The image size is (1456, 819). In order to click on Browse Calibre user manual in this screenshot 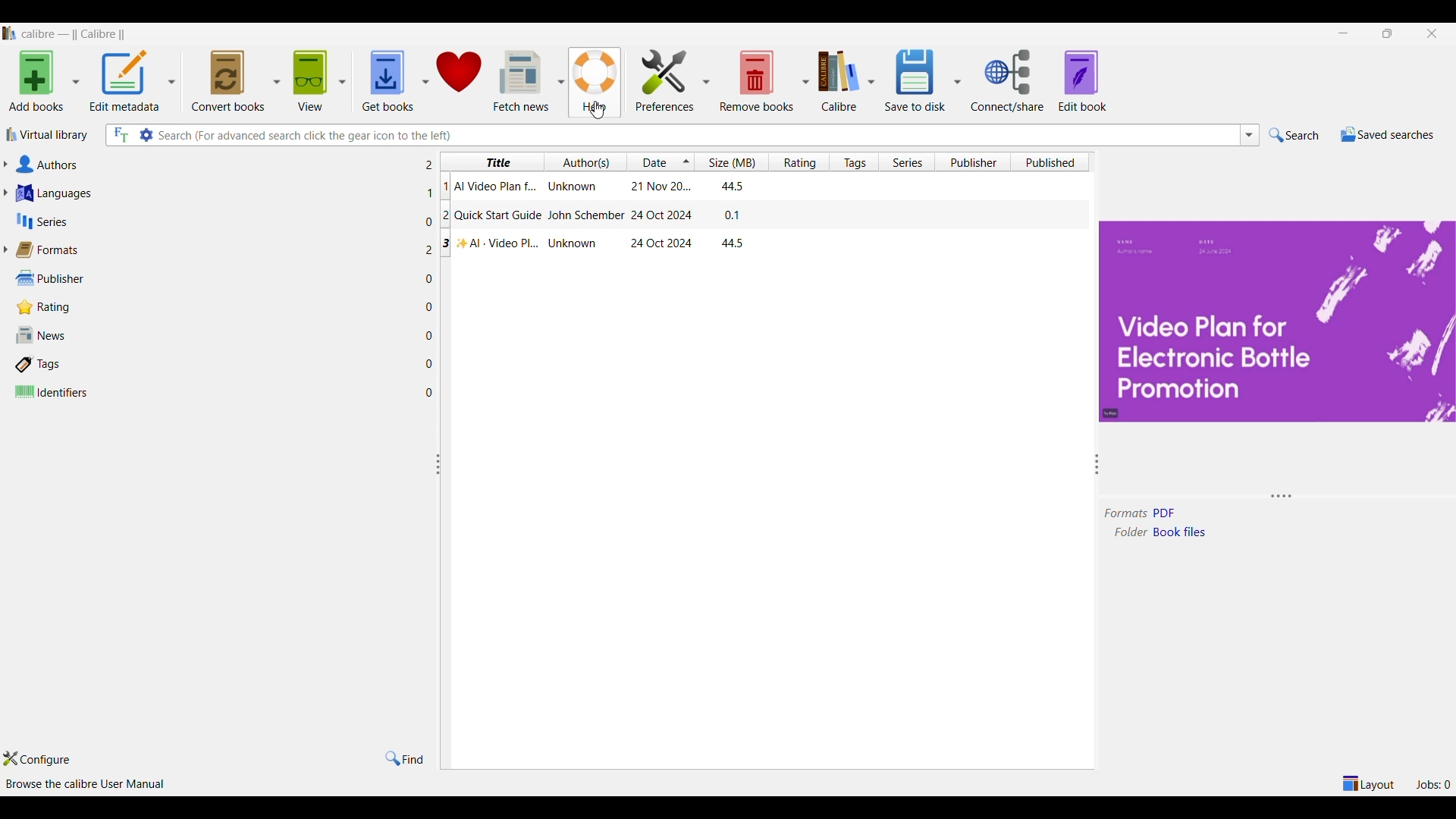, I will do `click(85, 784)`.